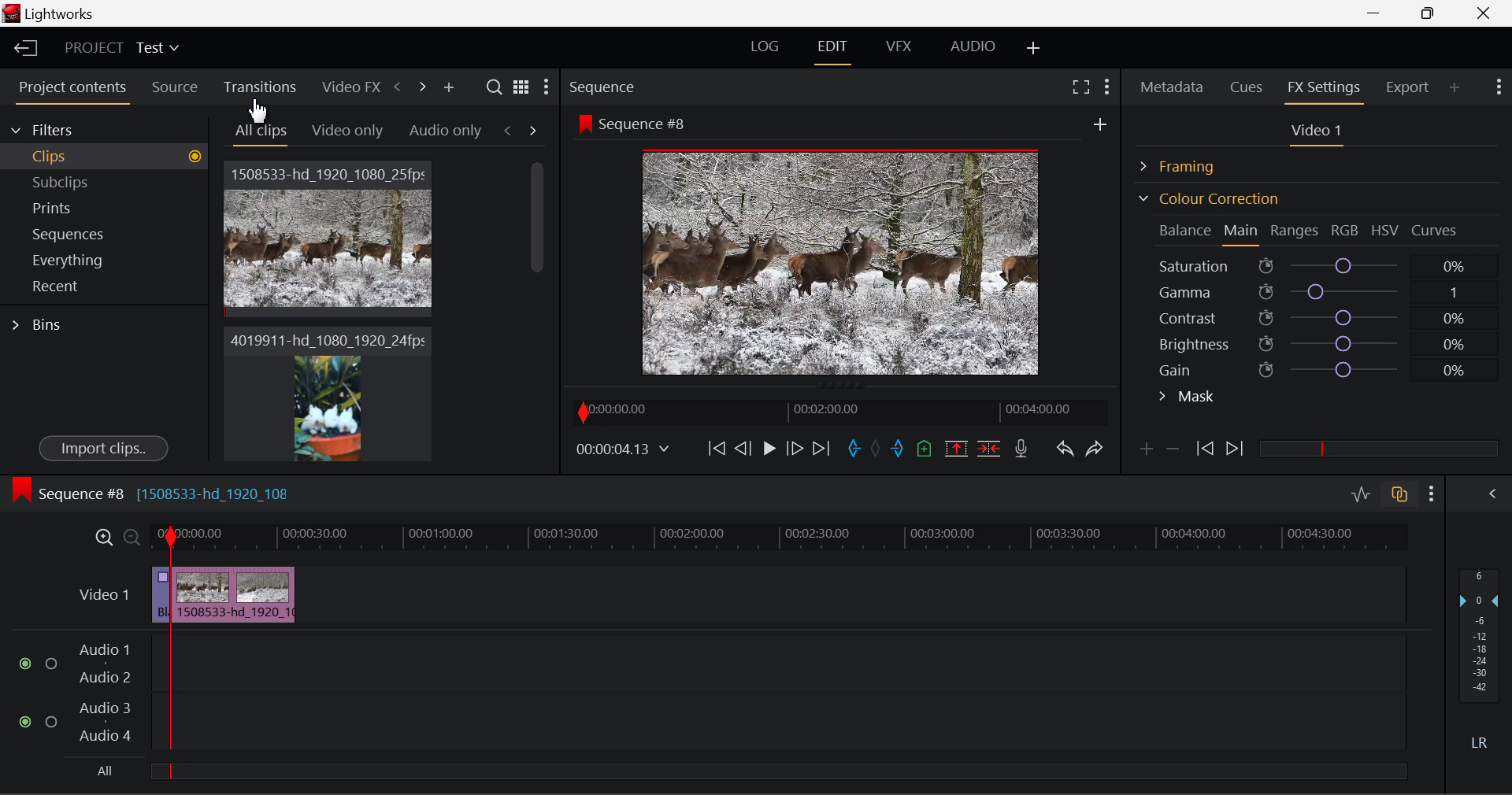  What do you see at coordinates (74, 205) in the screenshot?
I see `Prints` at bounding box center [74, 205].